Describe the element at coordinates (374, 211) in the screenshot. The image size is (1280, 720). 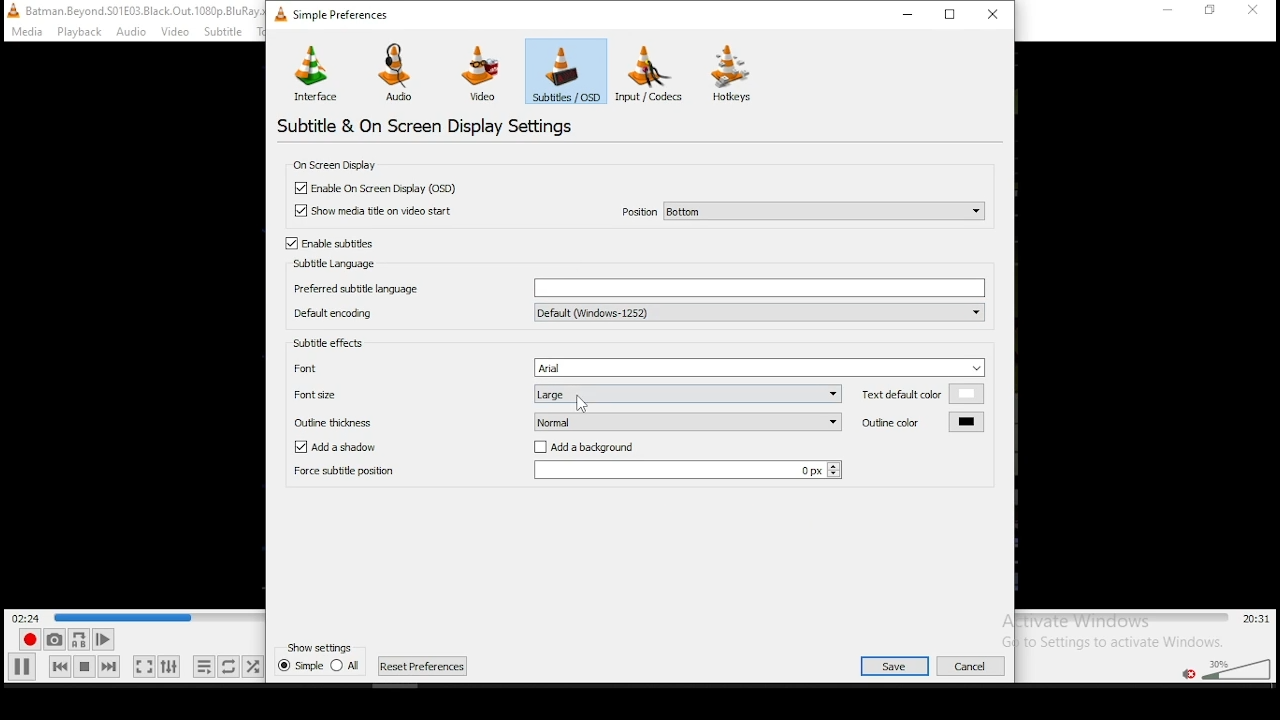
I see `checkbox: show media title on video start` at that location.